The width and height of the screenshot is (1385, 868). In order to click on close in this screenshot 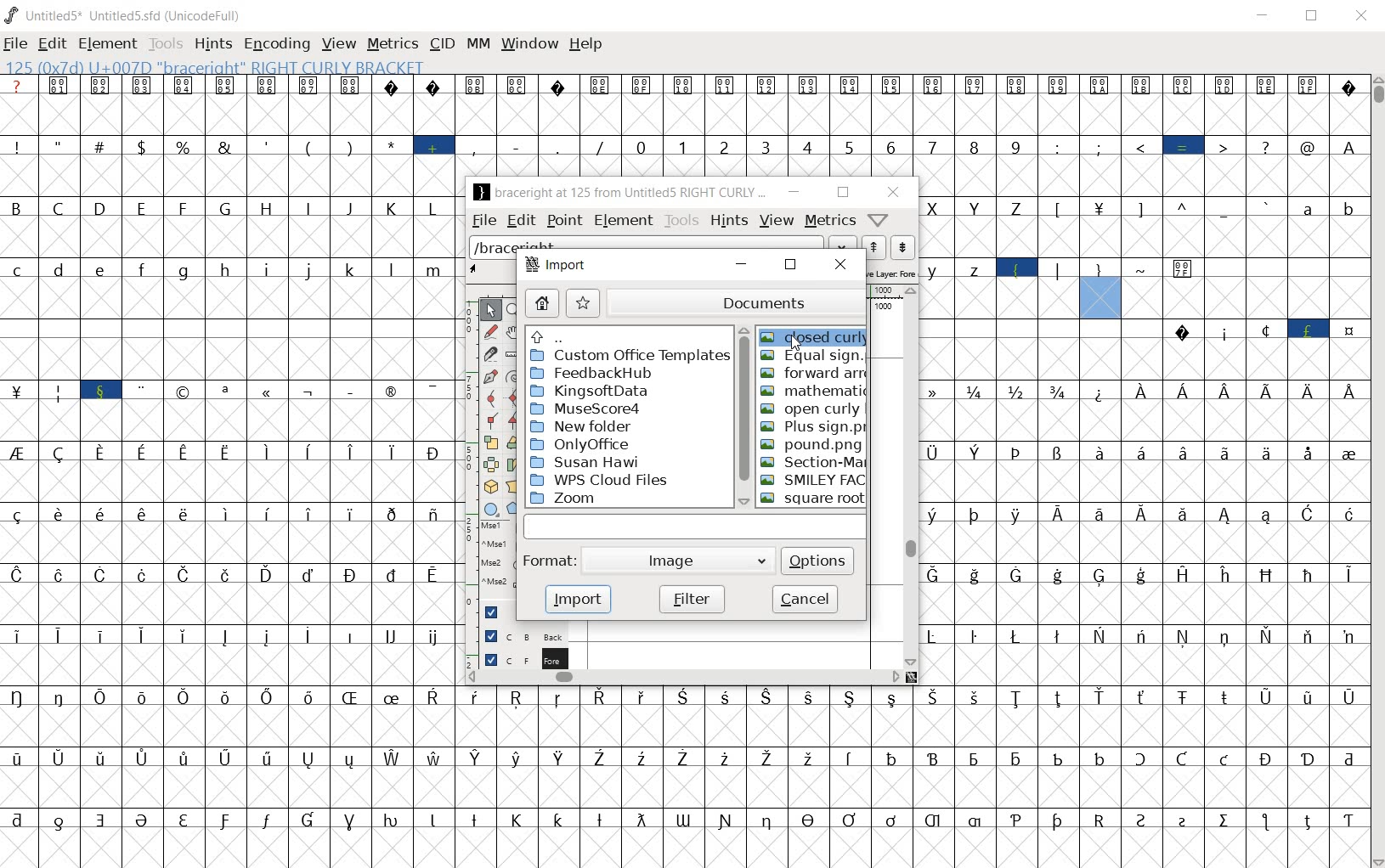, I will do `click(842, 265)`.